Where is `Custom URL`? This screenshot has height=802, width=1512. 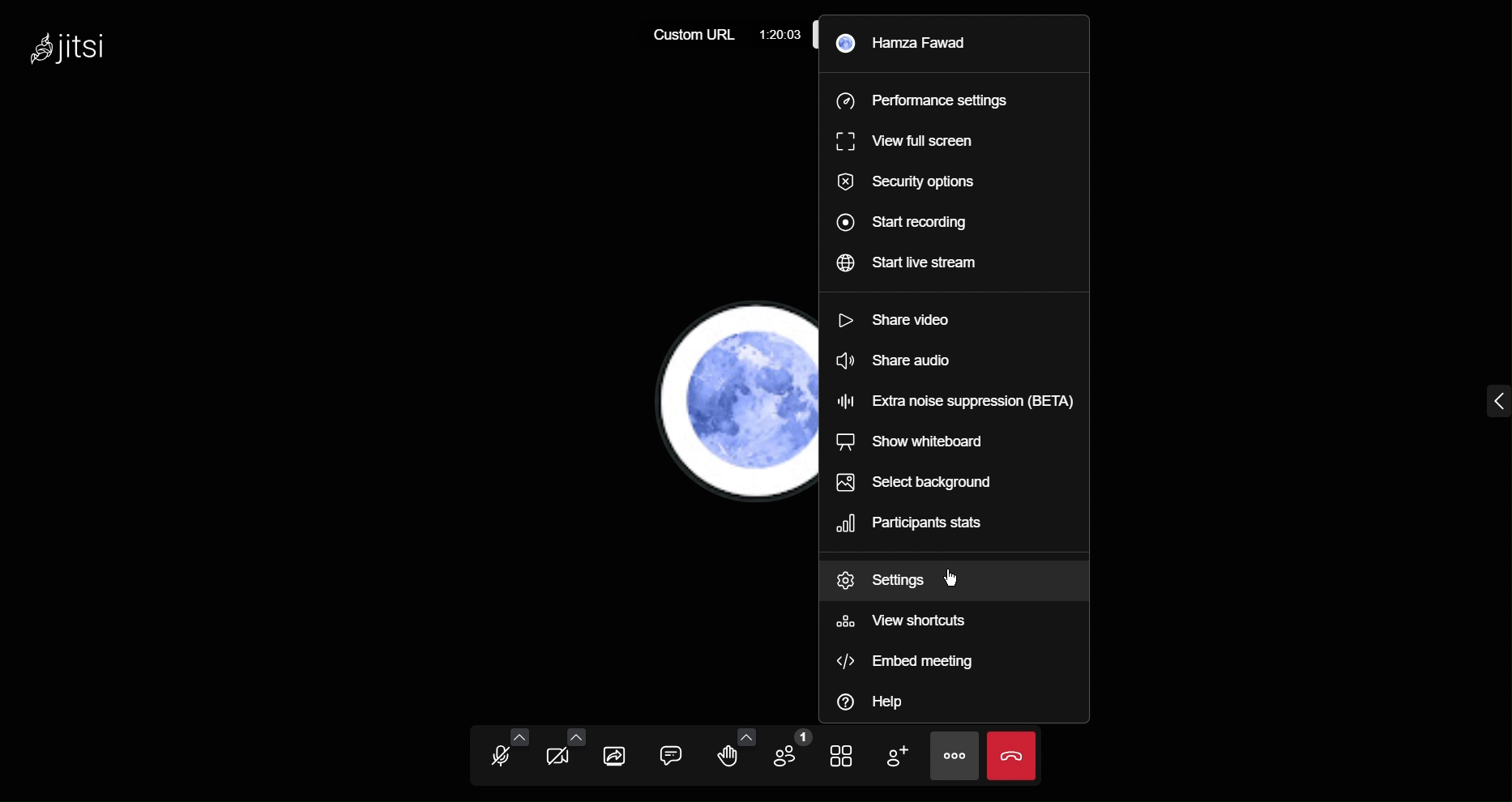
Custom URL is located at coordinates (698, 34).